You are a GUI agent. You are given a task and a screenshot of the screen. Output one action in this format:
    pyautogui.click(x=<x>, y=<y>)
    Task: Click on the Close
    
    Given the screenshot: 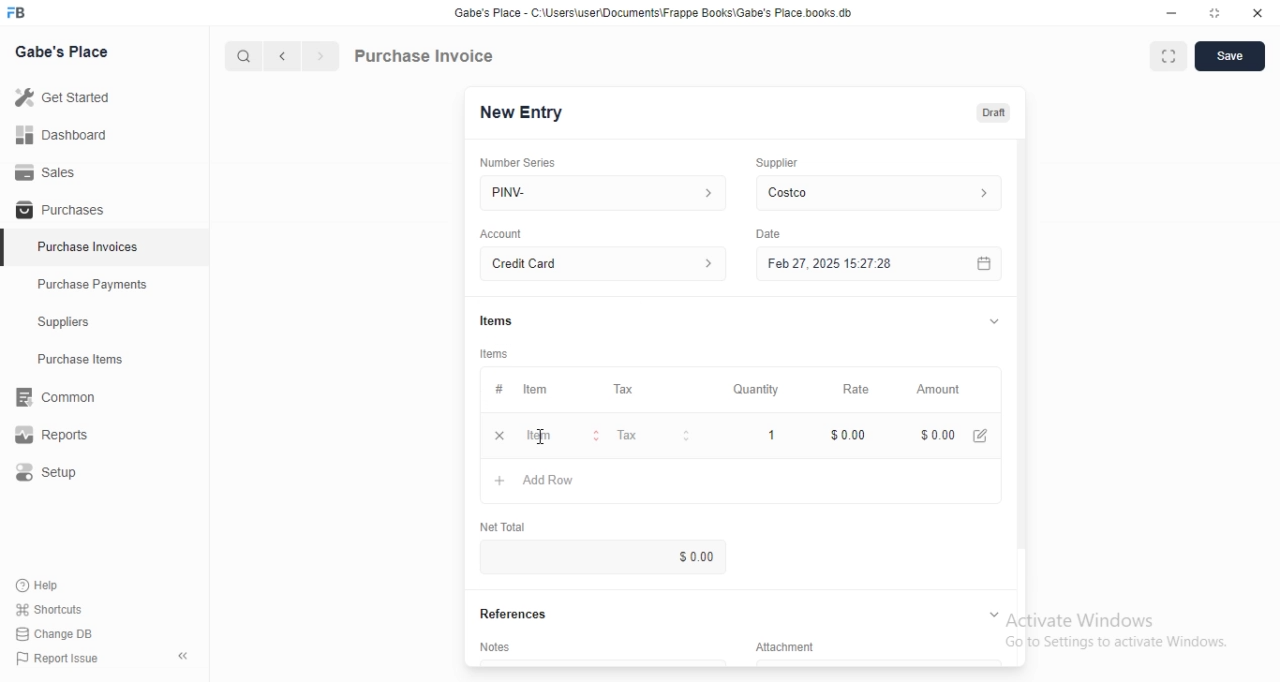 What is the action you would take?
    pyautogui.click(x=500, y=435)
    